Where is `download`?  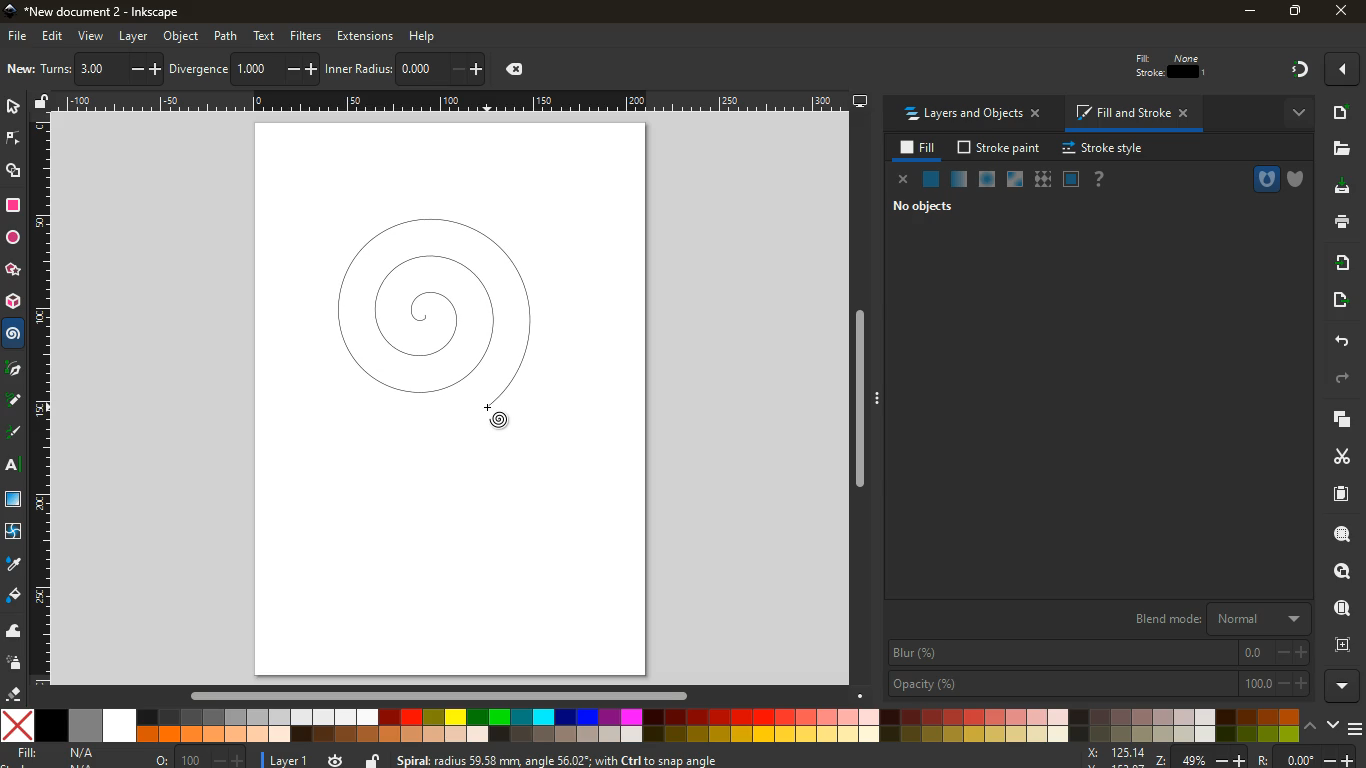 download is located at coordinates (1344, 189).